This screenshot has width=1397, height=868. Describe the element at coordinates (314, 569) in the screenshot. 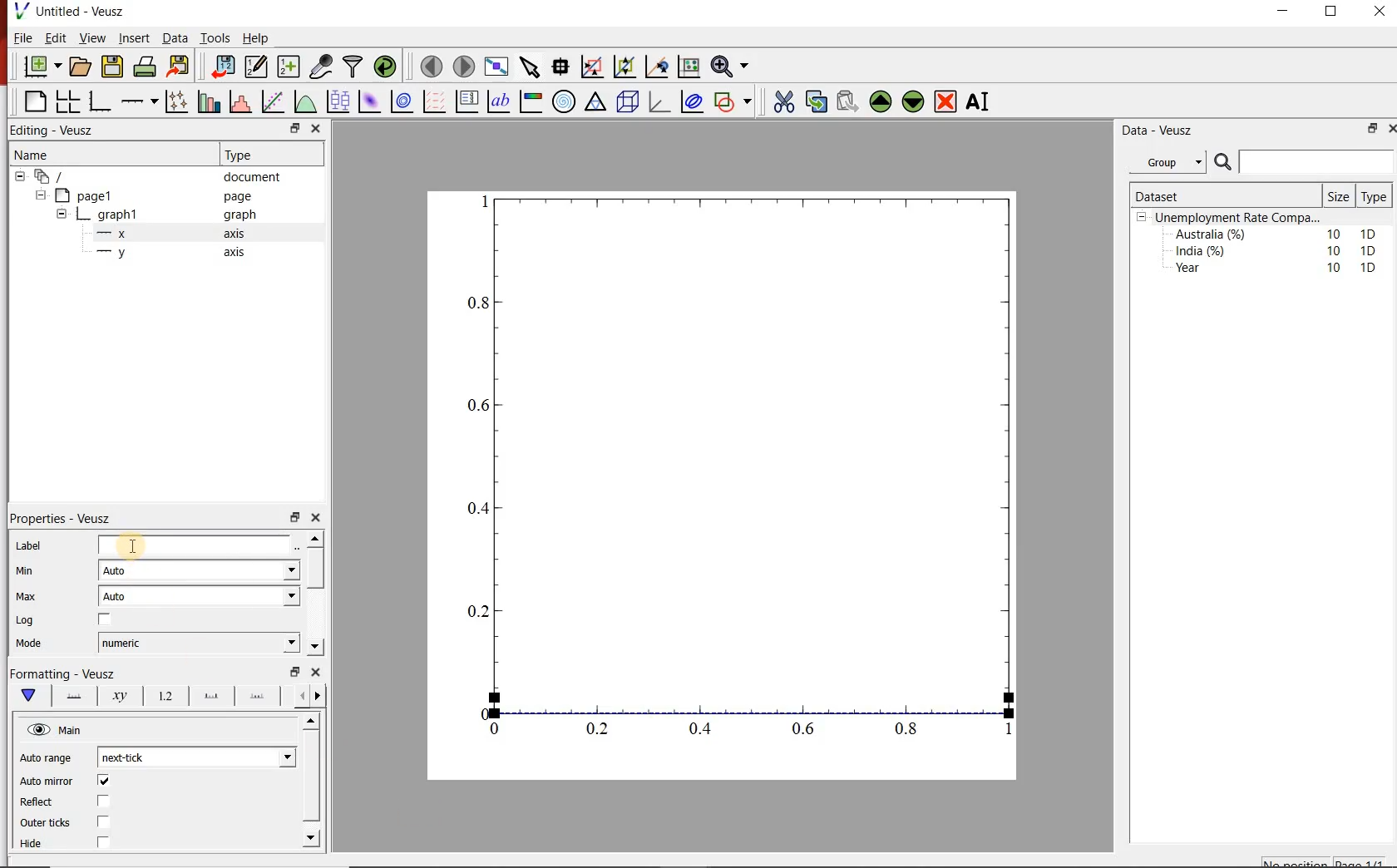

I see `scroll bar` at that location.